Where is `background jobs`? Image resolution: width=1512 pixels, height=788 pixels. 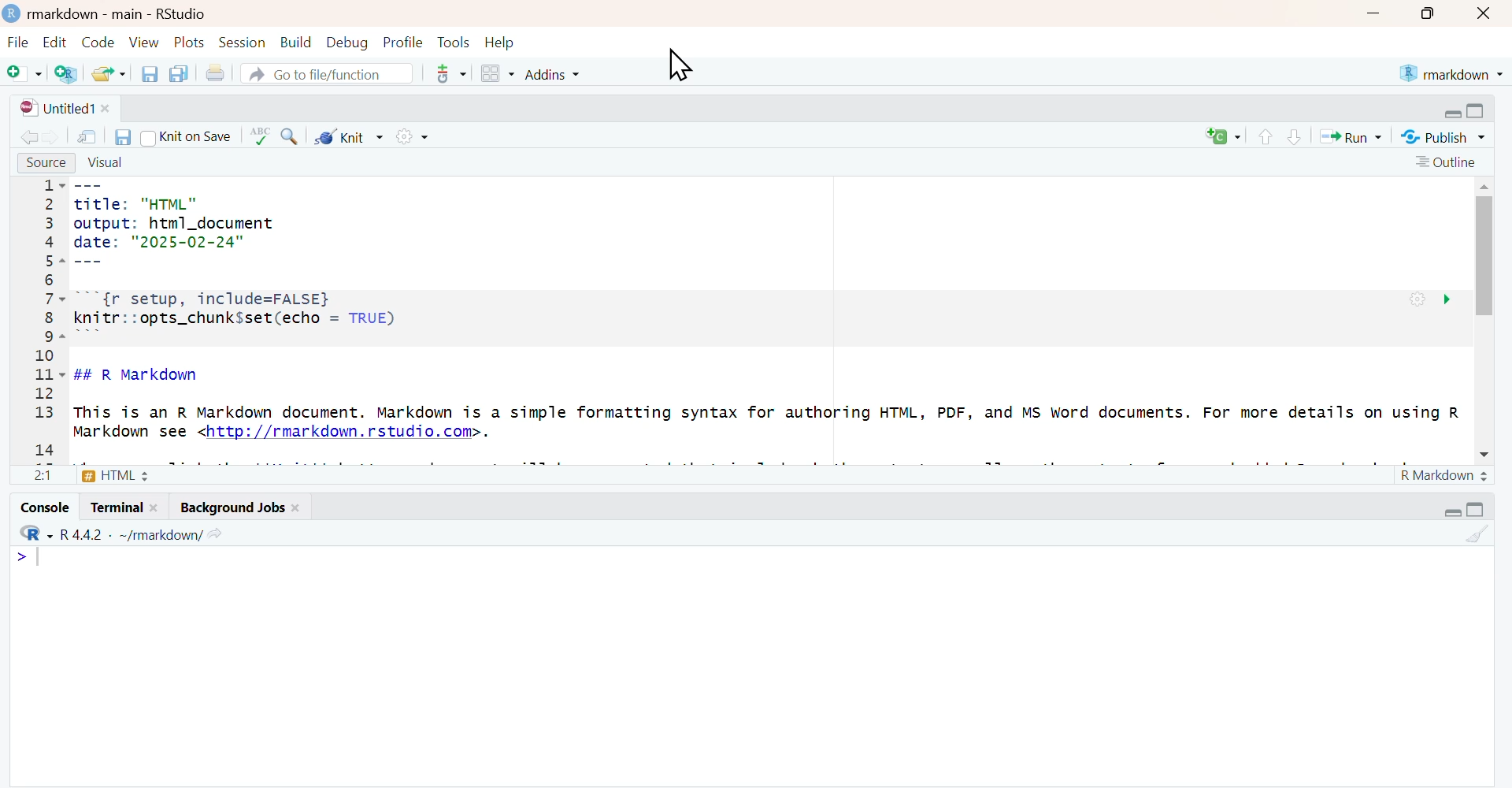
background jobs is located at coordinates (234, 507).